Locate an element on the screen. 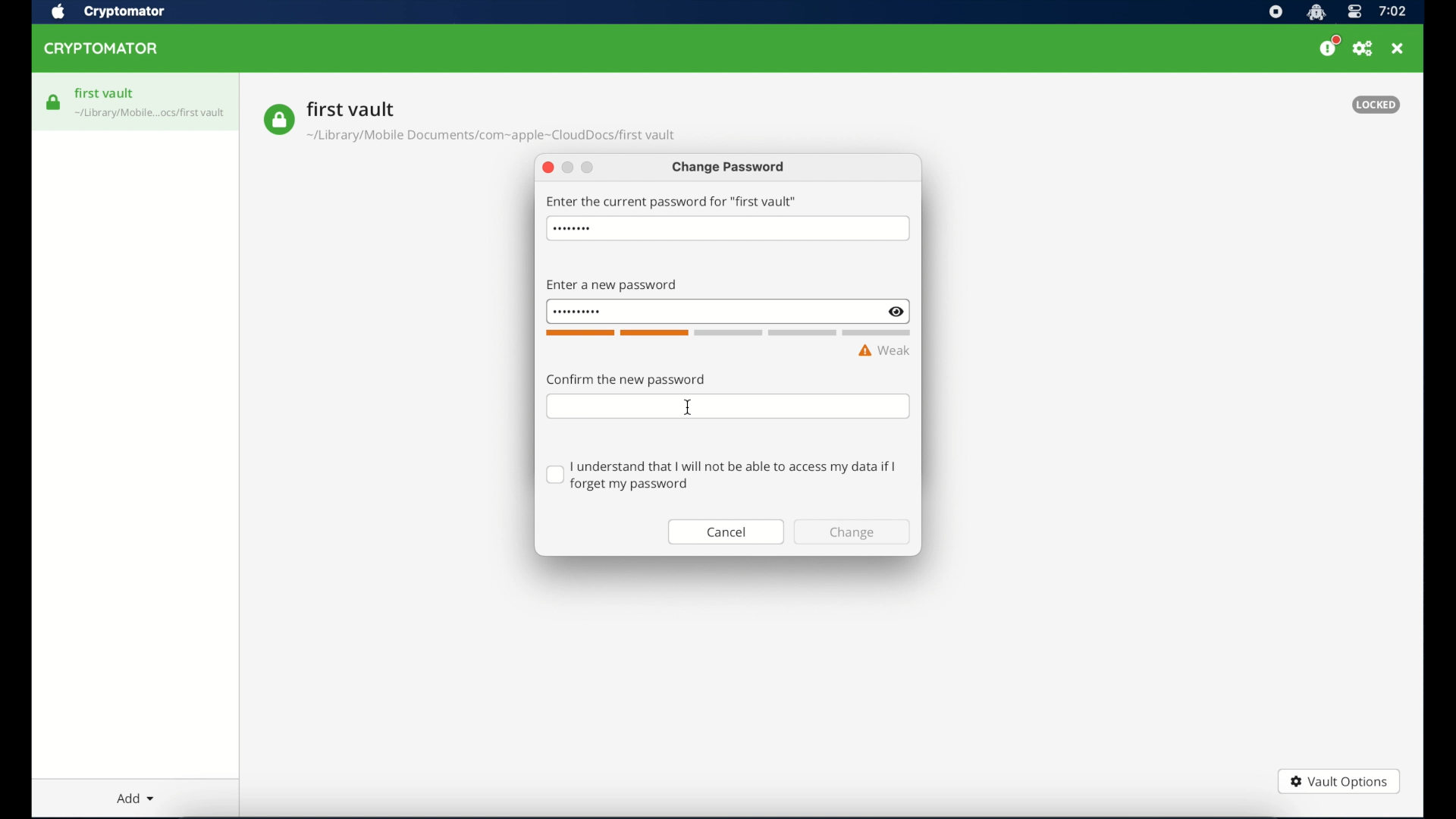 This screenshot has height=819, width=1456. minimize is located at coordinates (569, 168).